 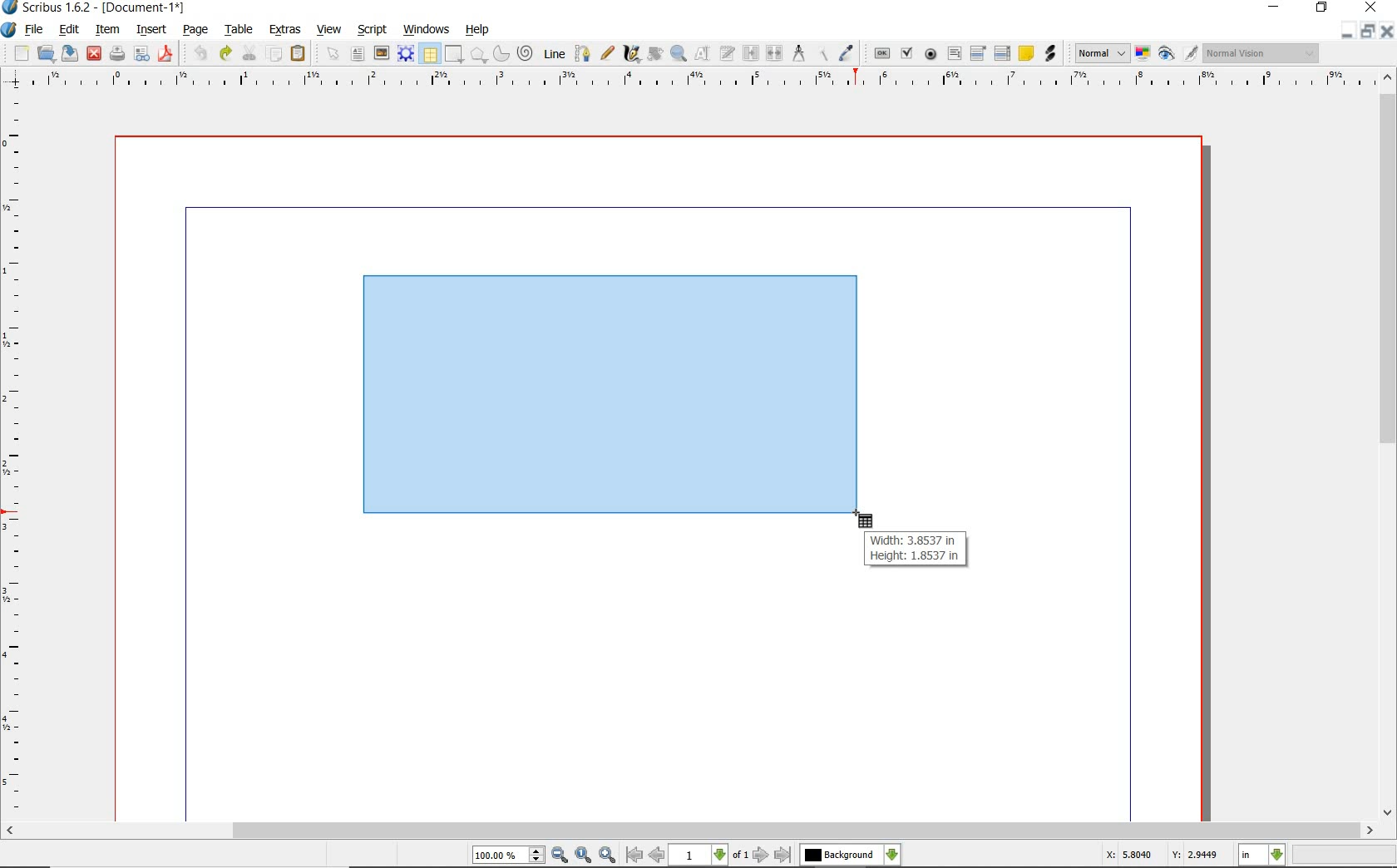 What do you see at coordinates (955, 53) in the screenshot?
I see `pdf text field` at bounding box center [955, 53].